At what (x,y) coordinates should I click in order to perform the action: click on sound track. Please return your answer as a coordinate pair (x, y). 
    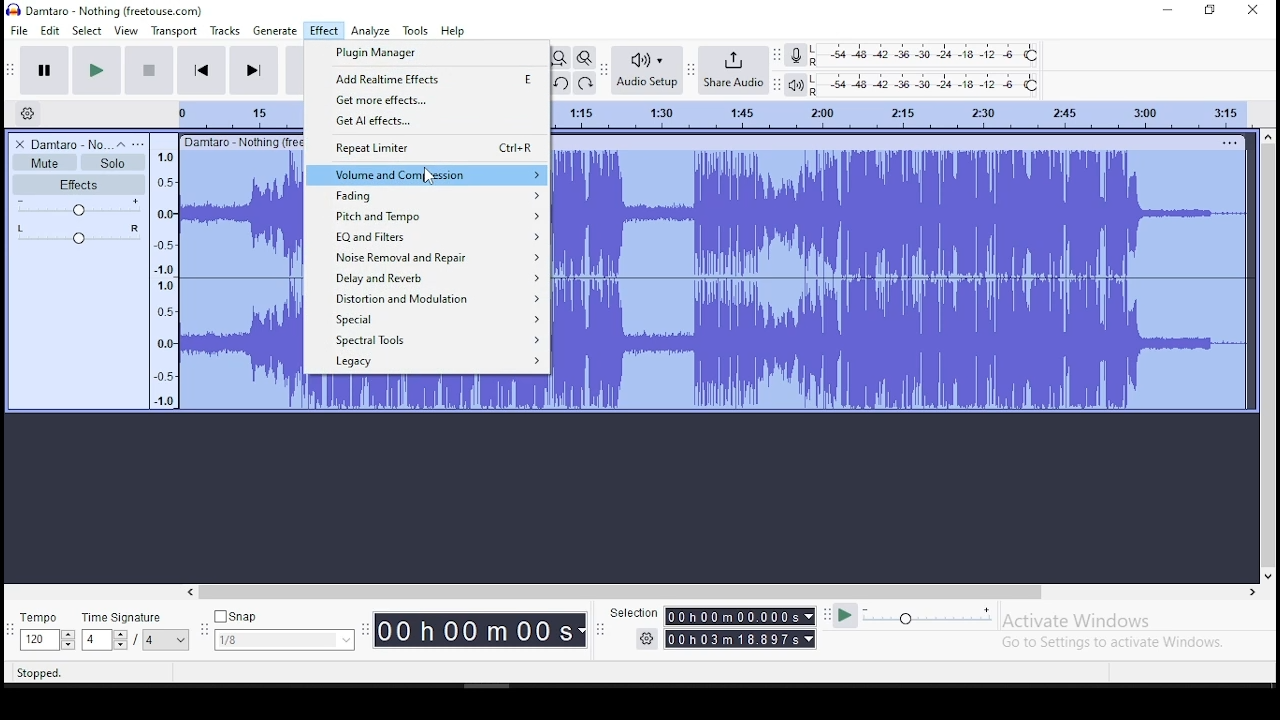
    Looking at the image, I should click on (423, 393).